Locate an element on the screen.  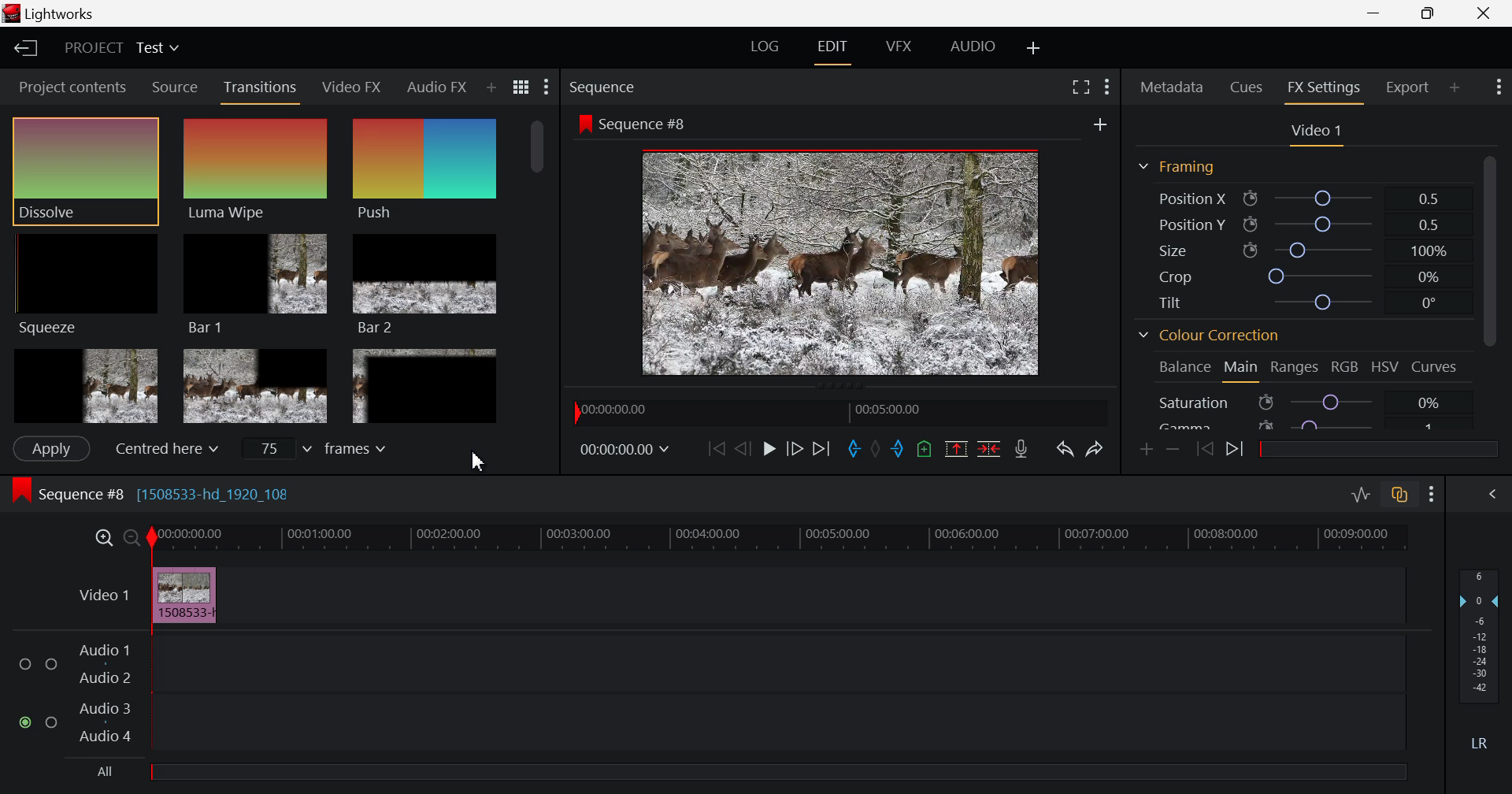
Sequence Preview Section is located at coordinates (602, 84).